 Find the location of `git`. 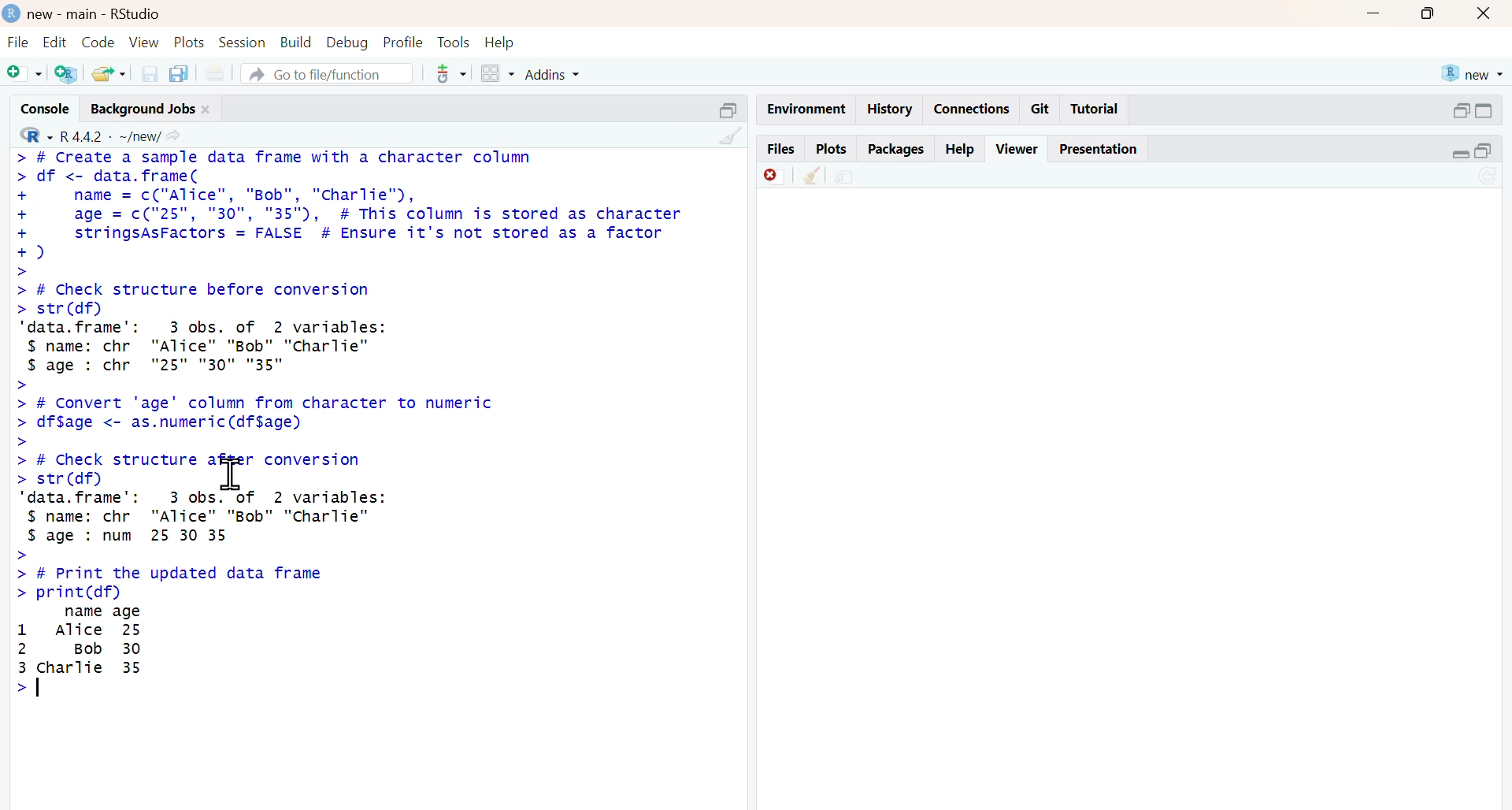

git is located at coordinates (1039, 109).